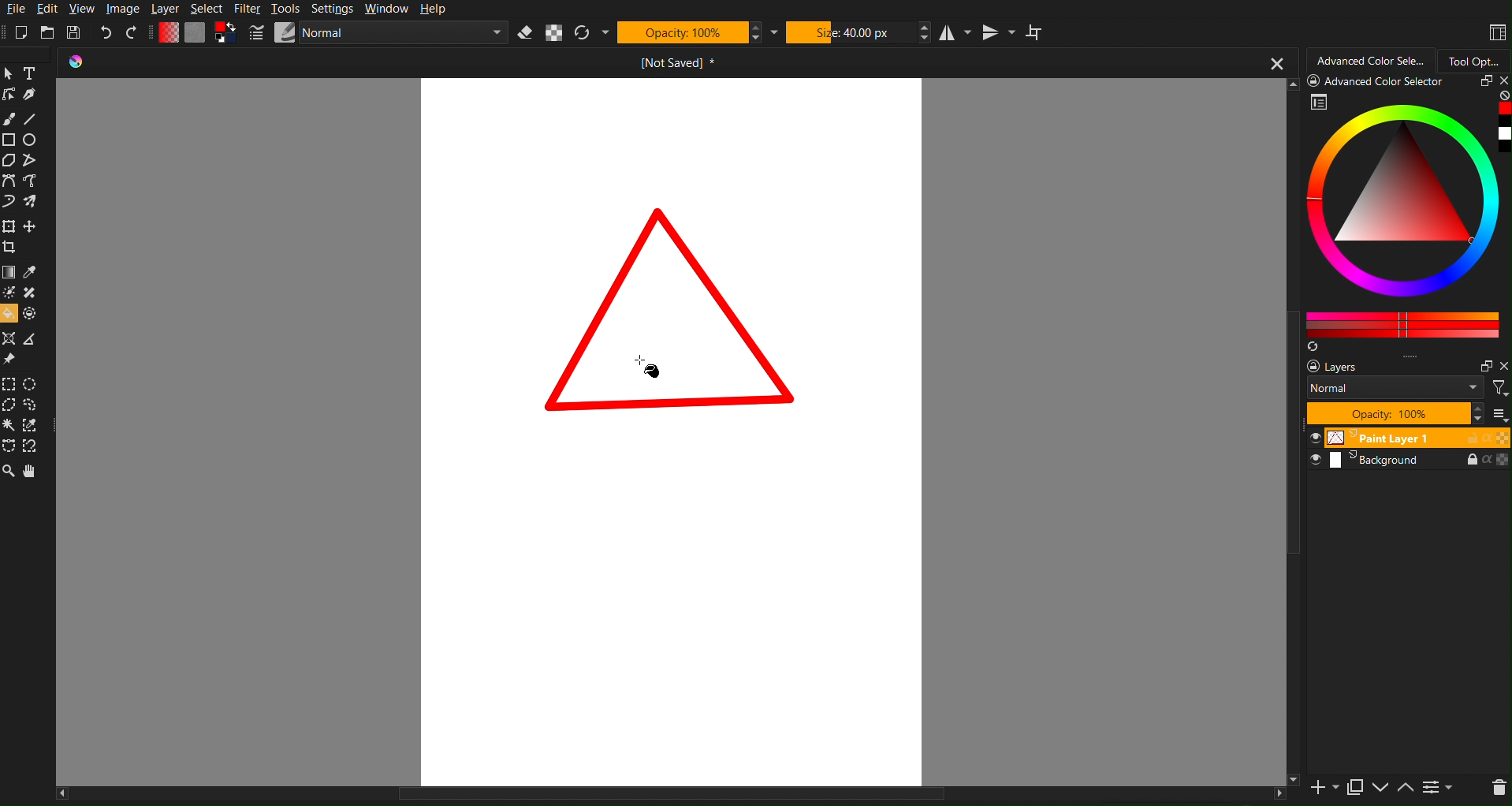 The width and height of the screenshot is (1512, 806). Describe the element at coordinates (1410, 436) in the screenshot. I see `paint layer 1` at that location.